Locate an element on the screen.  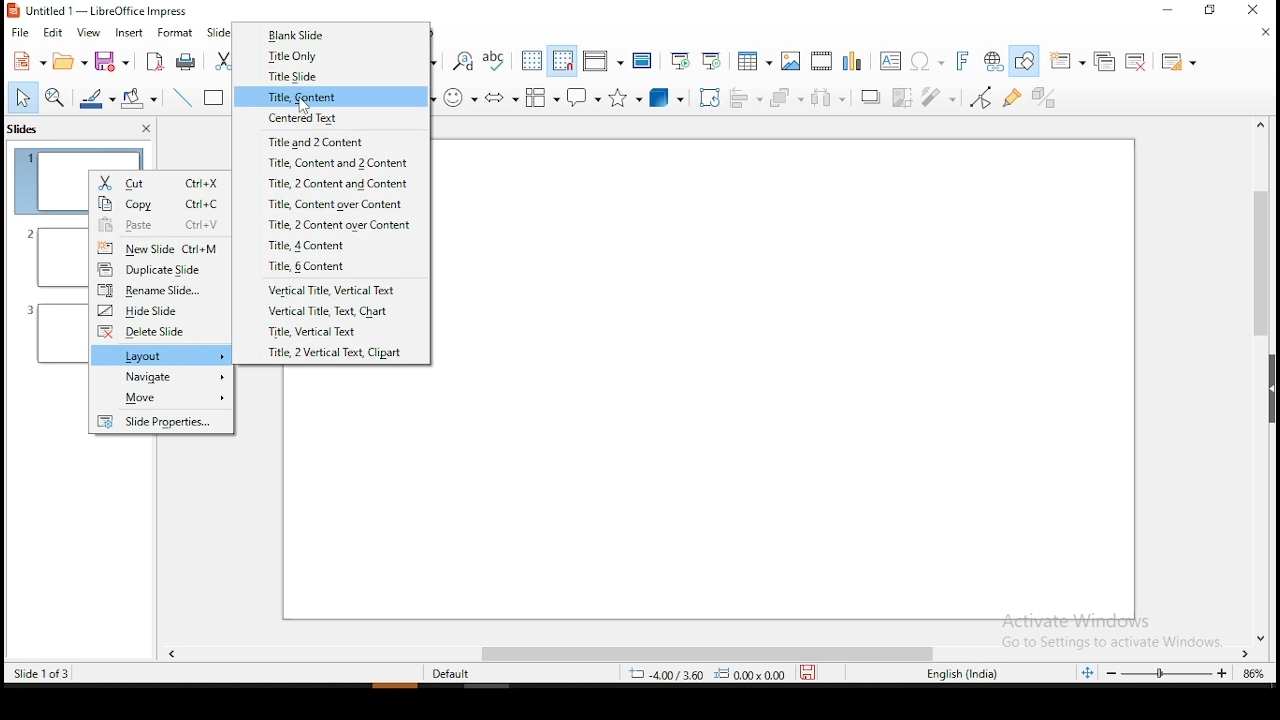
rectangle is located at coordinates (214, 100).